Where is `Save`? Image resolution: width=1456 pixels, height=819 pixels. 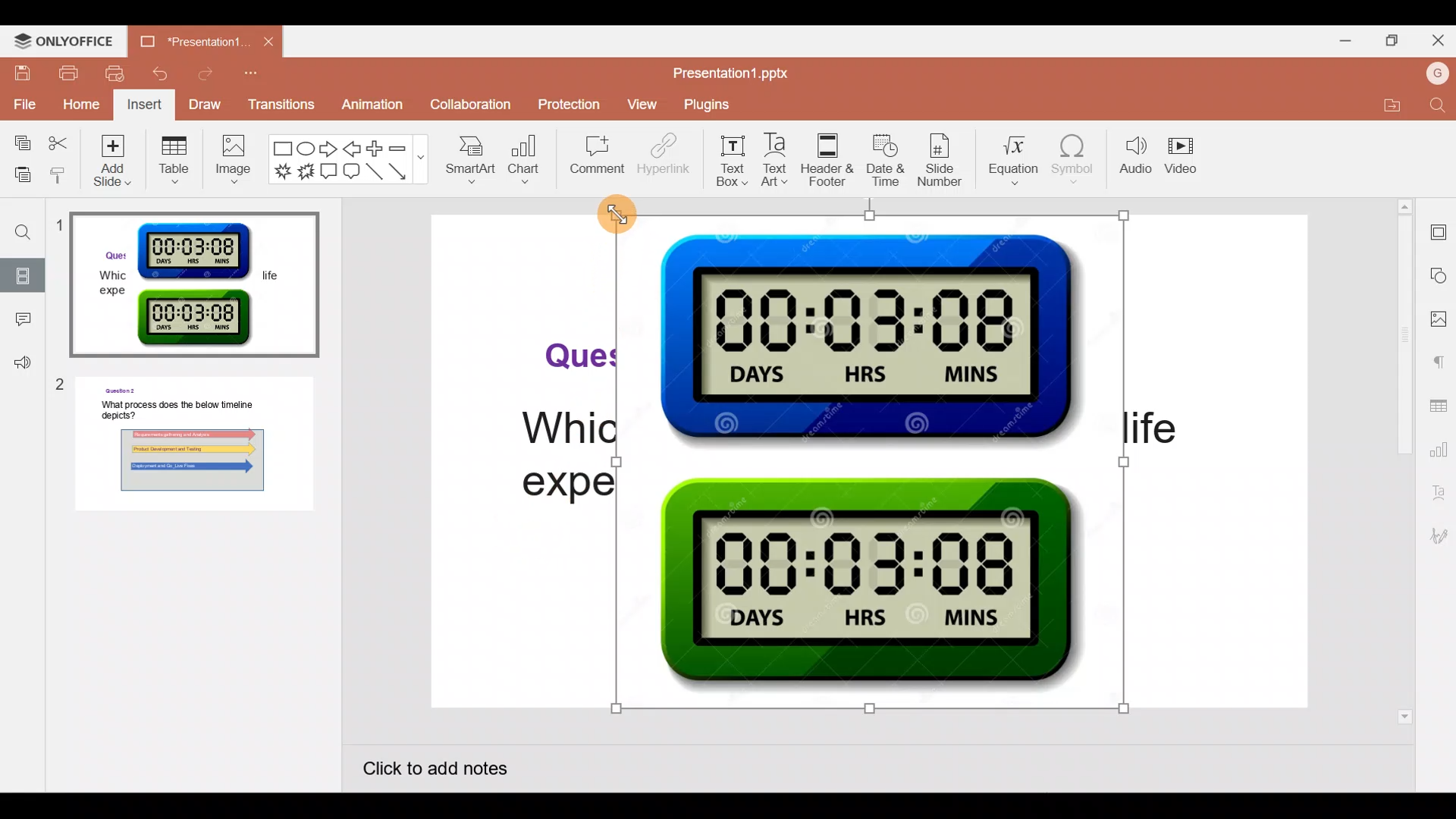
Save is located at coordinates (24, 76).